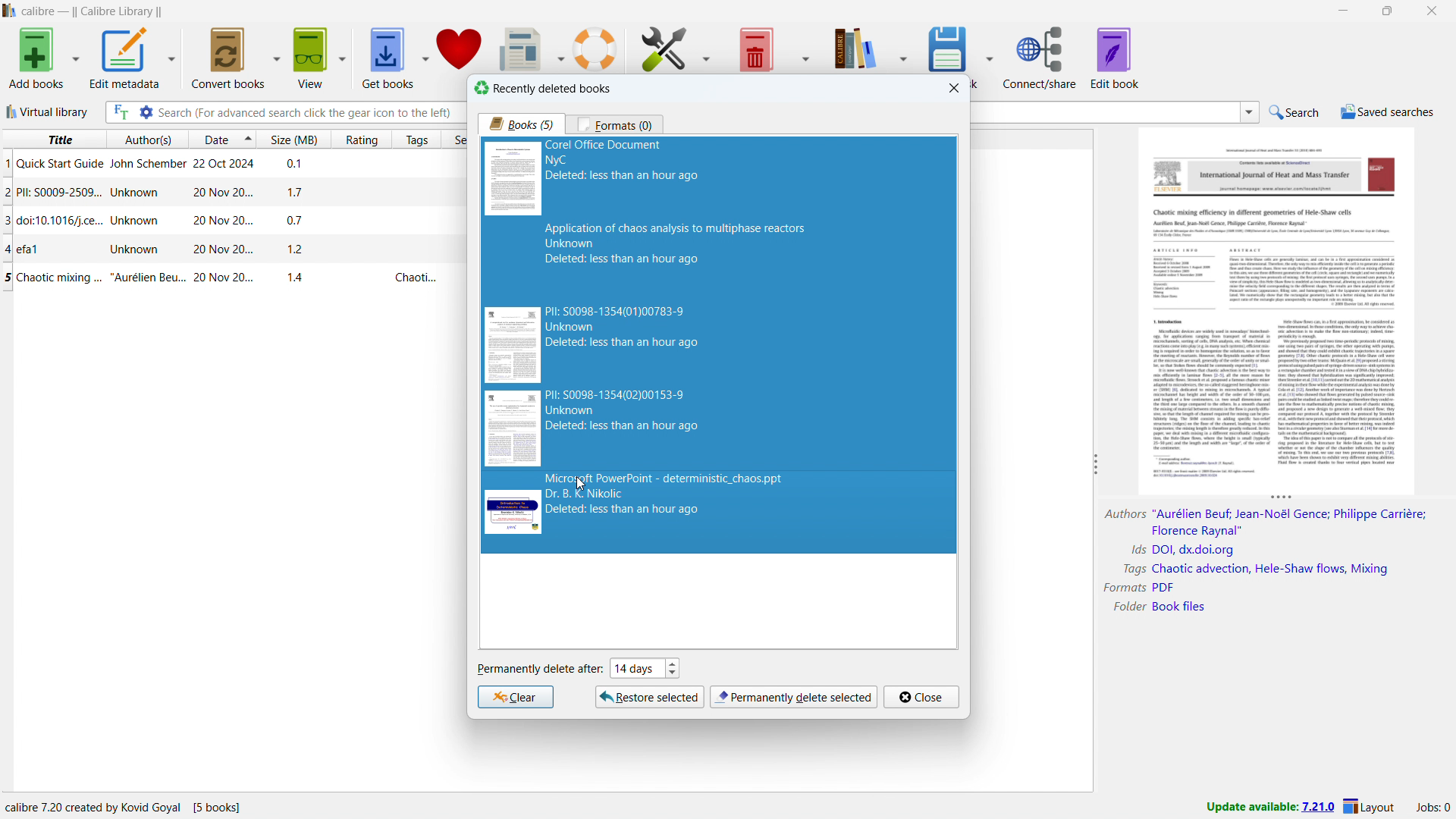 This screenshot has height=819, width=1456. What do you see at coordinates (949, 47) in the screenshot?
I see `save to disk` at bounding box center [949, 47].